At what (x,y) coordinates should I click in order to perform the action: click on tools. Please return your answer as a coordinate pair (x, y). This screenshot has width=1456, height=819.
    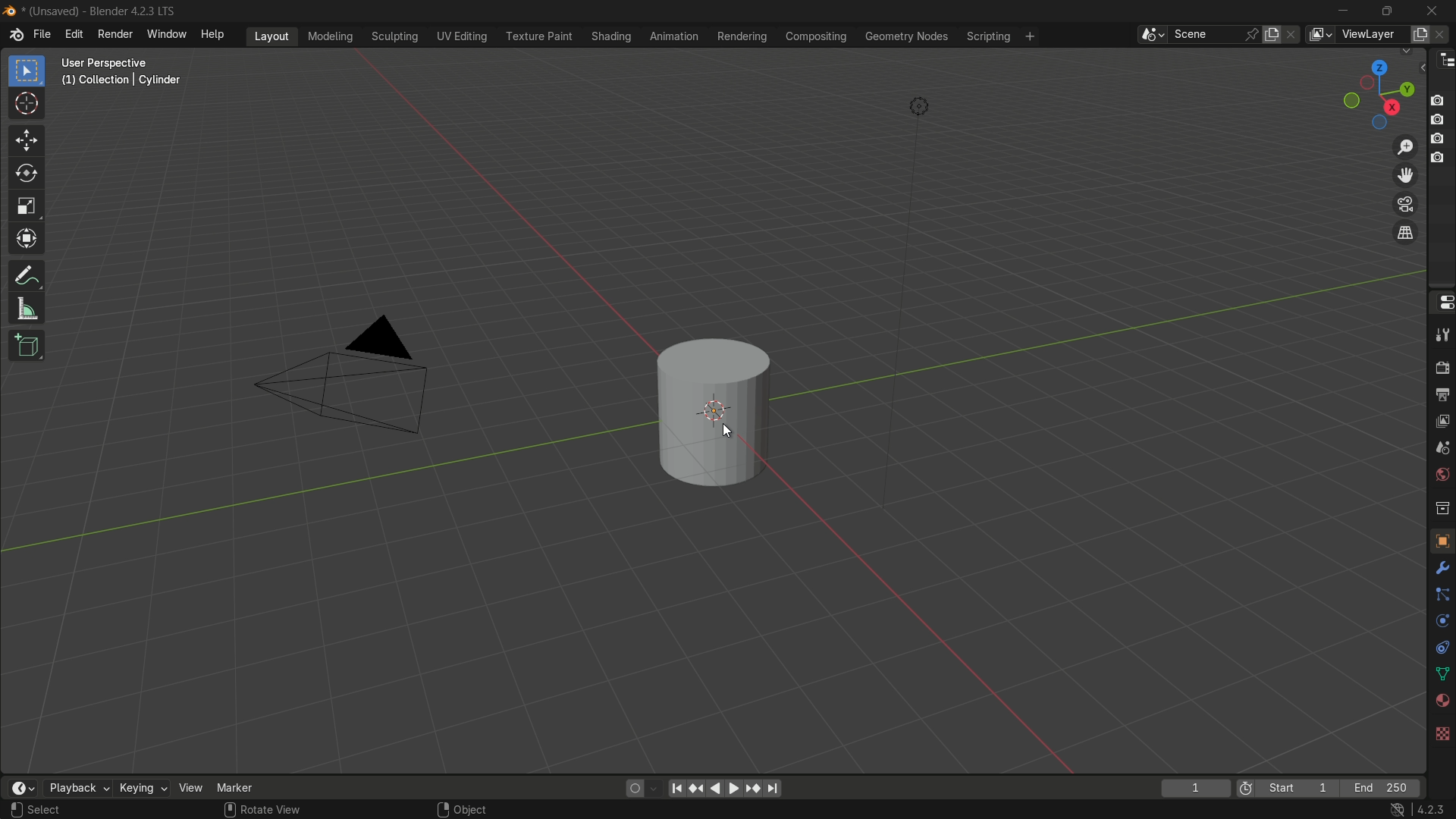
    Looking at the image, I should click on (1439, 571).